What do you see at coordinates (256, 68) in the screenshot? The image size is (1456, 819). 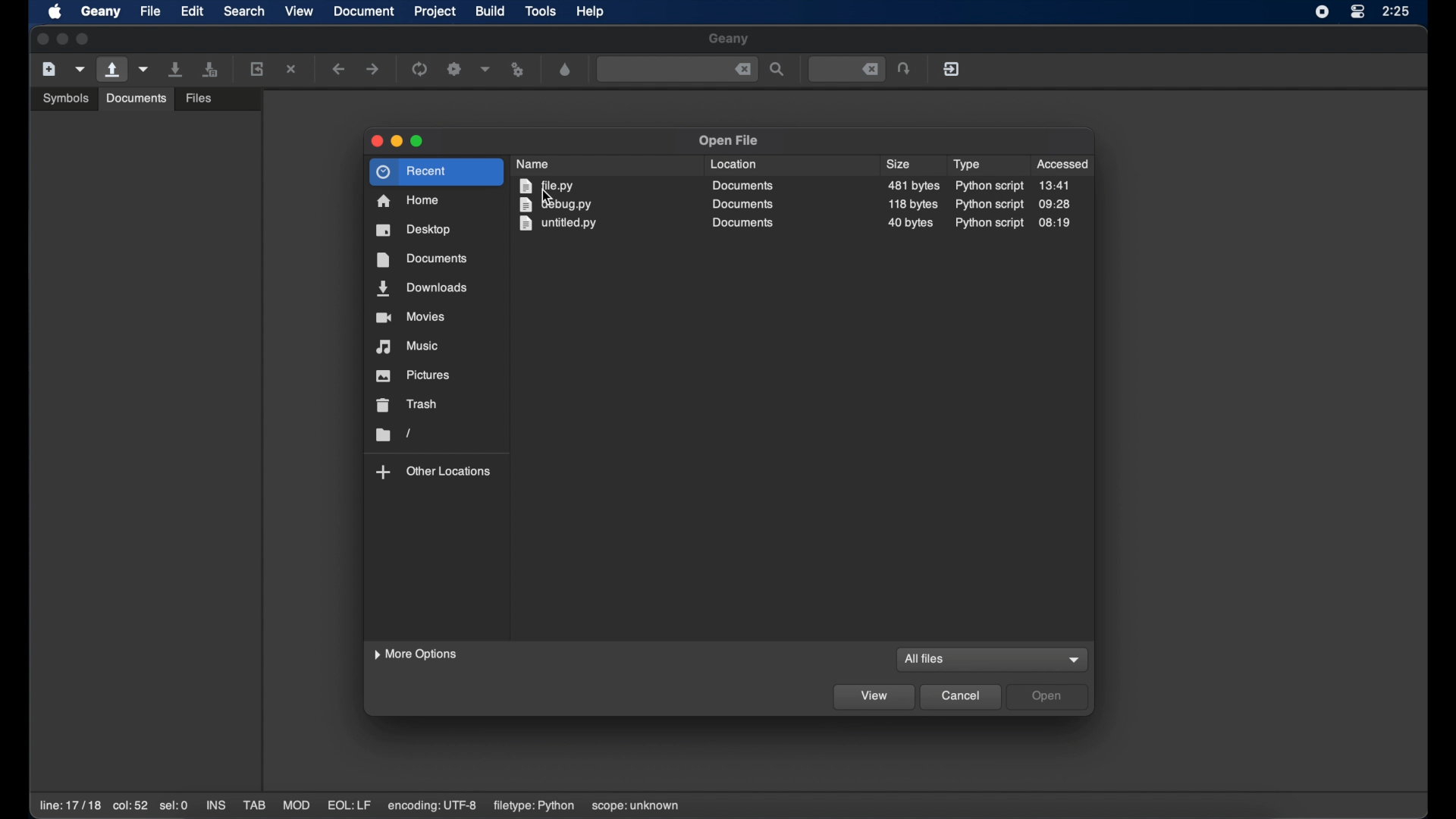 I see `reload current file from disk` at bounding box center [256, 68].